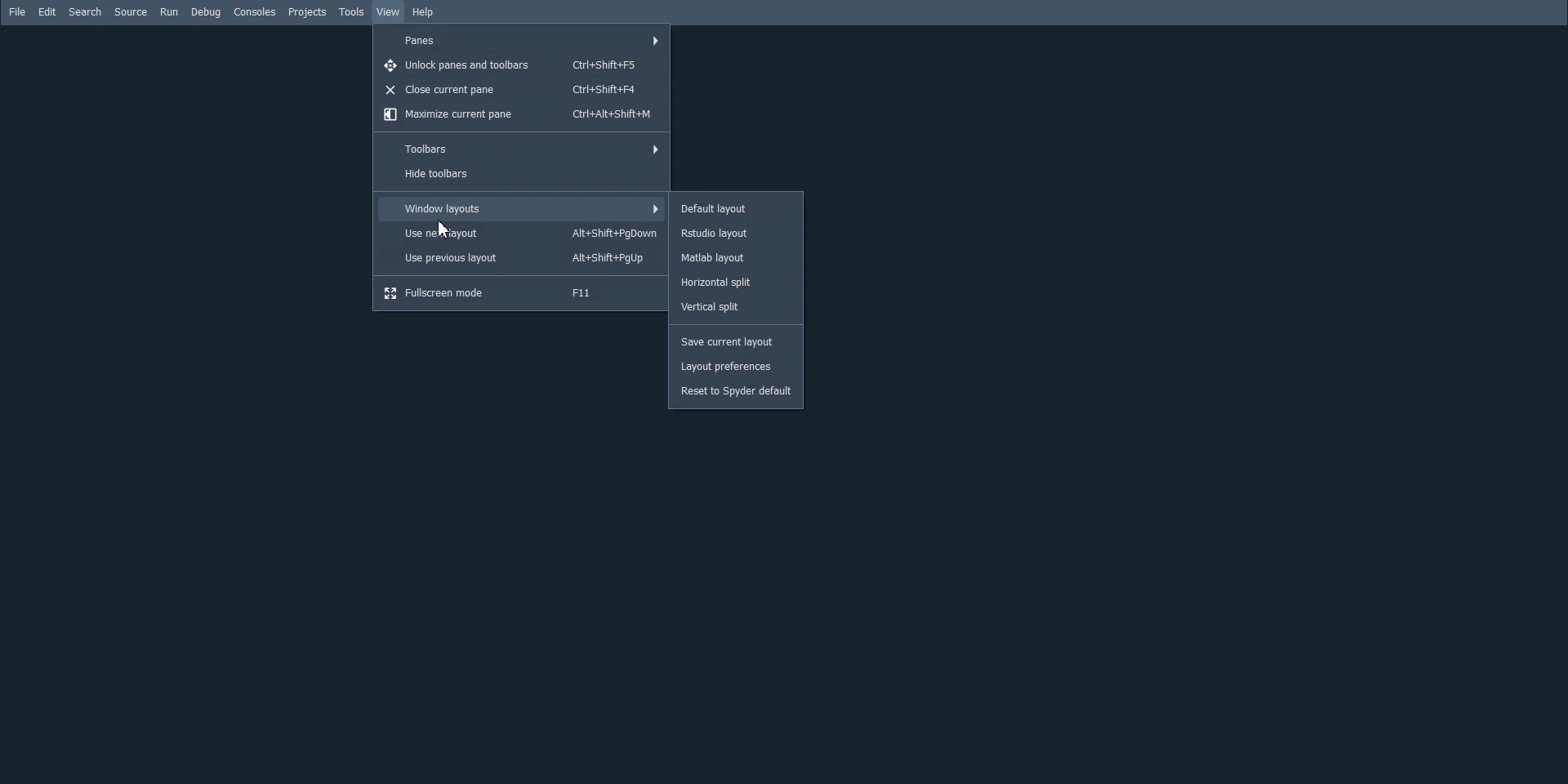 The height and width of the screenshot is (784, 1568). I want to click on Close current pane, so click(521, 90).